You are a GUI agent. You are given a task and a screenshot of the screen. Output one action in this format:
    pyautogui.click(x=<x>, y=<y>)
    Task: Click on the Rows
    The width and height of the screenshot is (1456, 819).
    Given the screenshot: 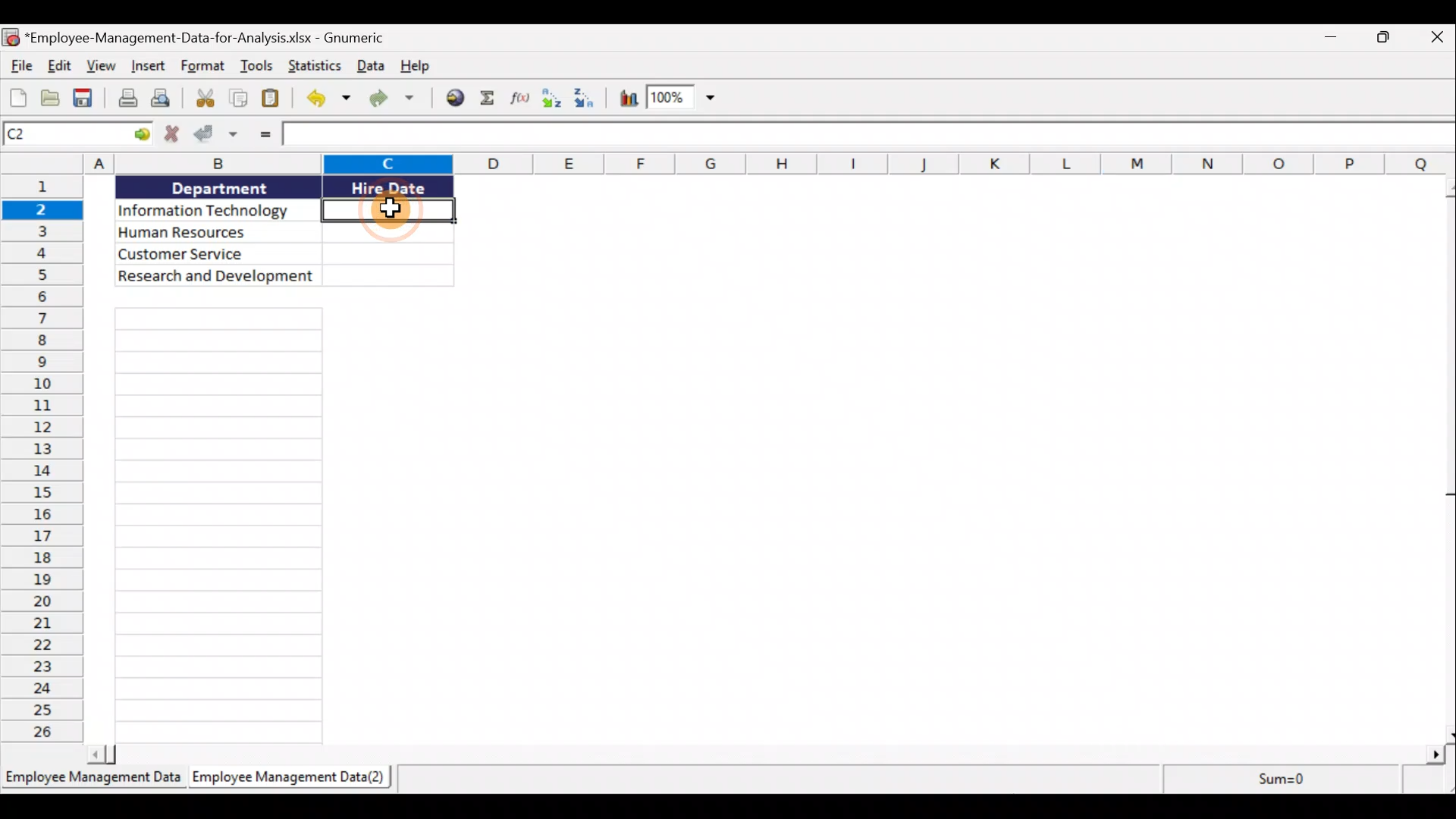 What is the action you would take?
    pyautogui.click(x=42, y=459)
    